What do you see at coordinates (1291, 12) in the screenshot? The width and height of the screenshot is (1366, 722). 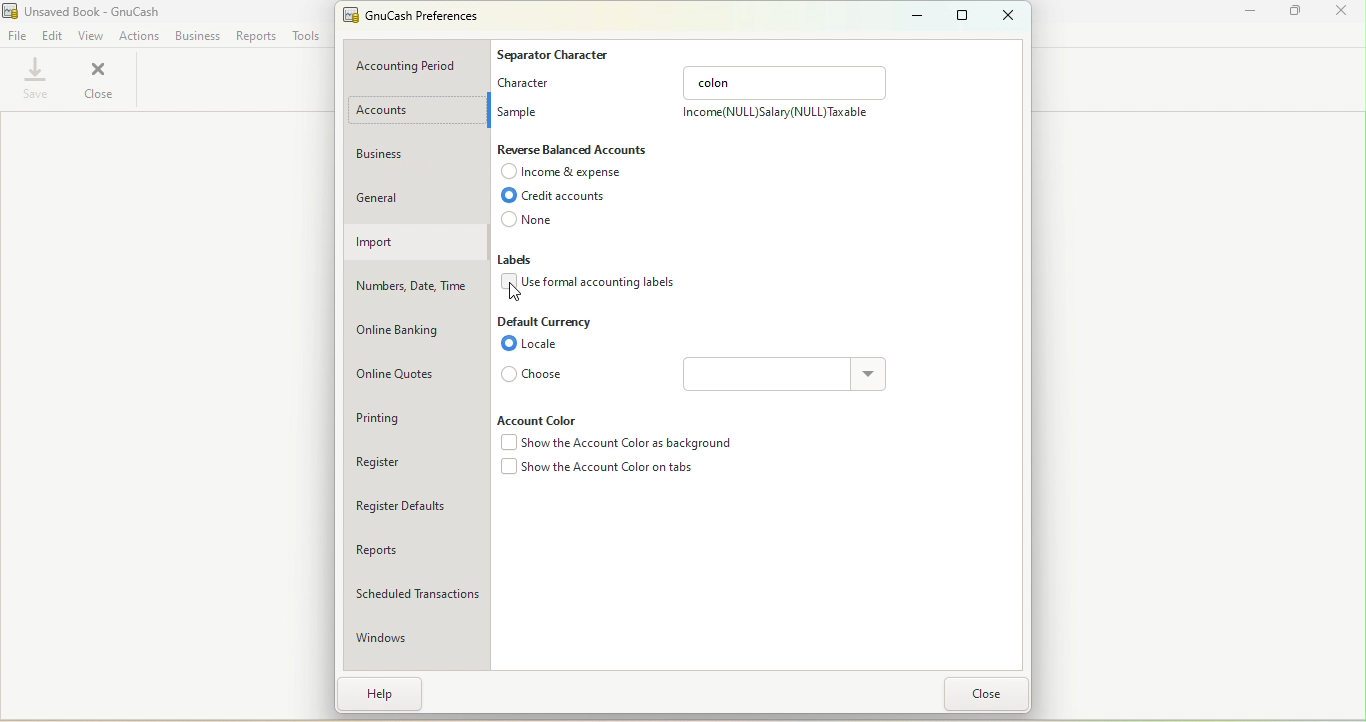 I see `Maximize` at bounding box center [1291, 12].